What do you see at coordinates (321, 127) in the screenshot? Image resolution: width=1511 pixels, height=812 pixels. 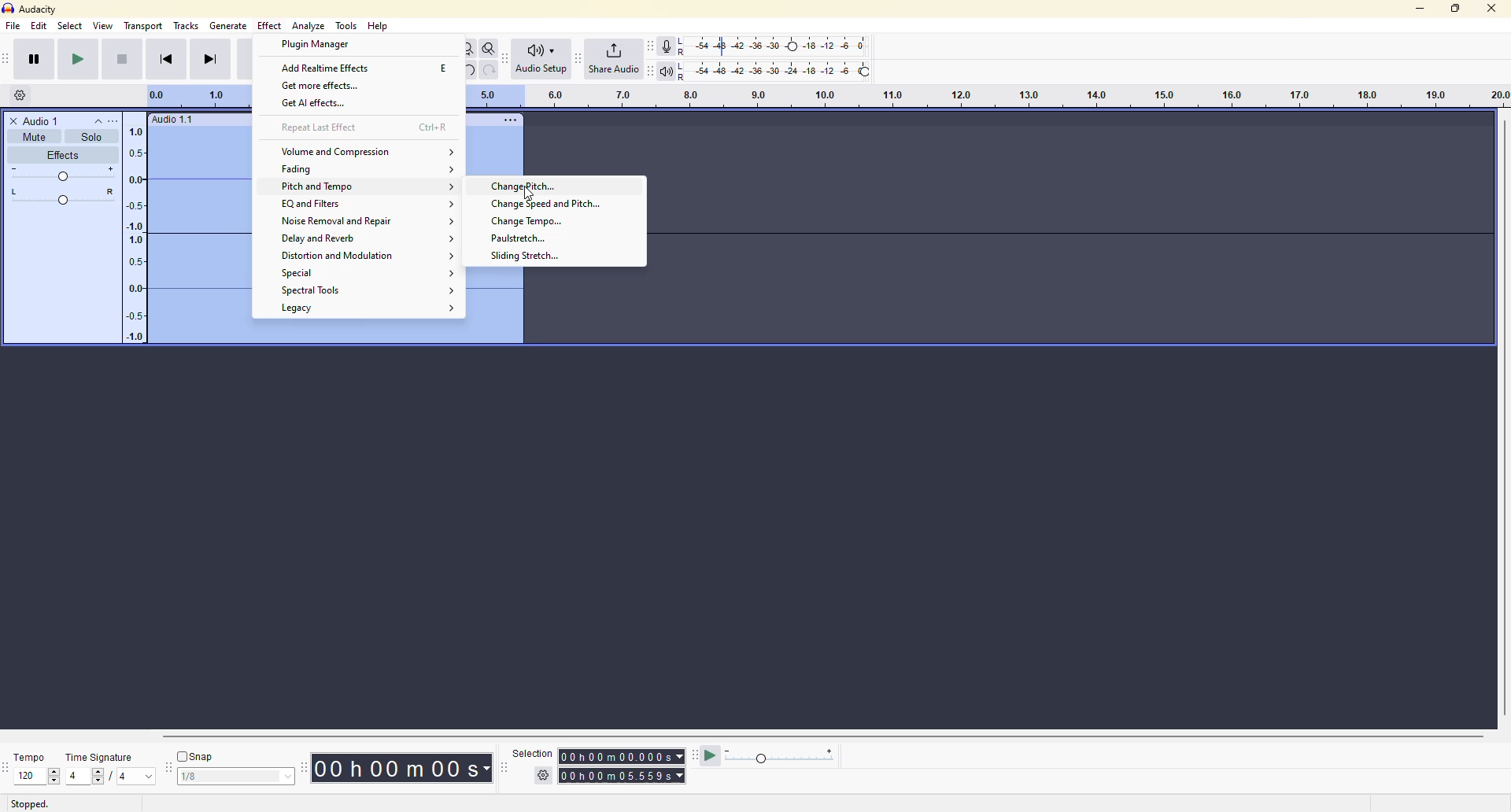 I see `repeat last effect` at bounding box center [321, 127].